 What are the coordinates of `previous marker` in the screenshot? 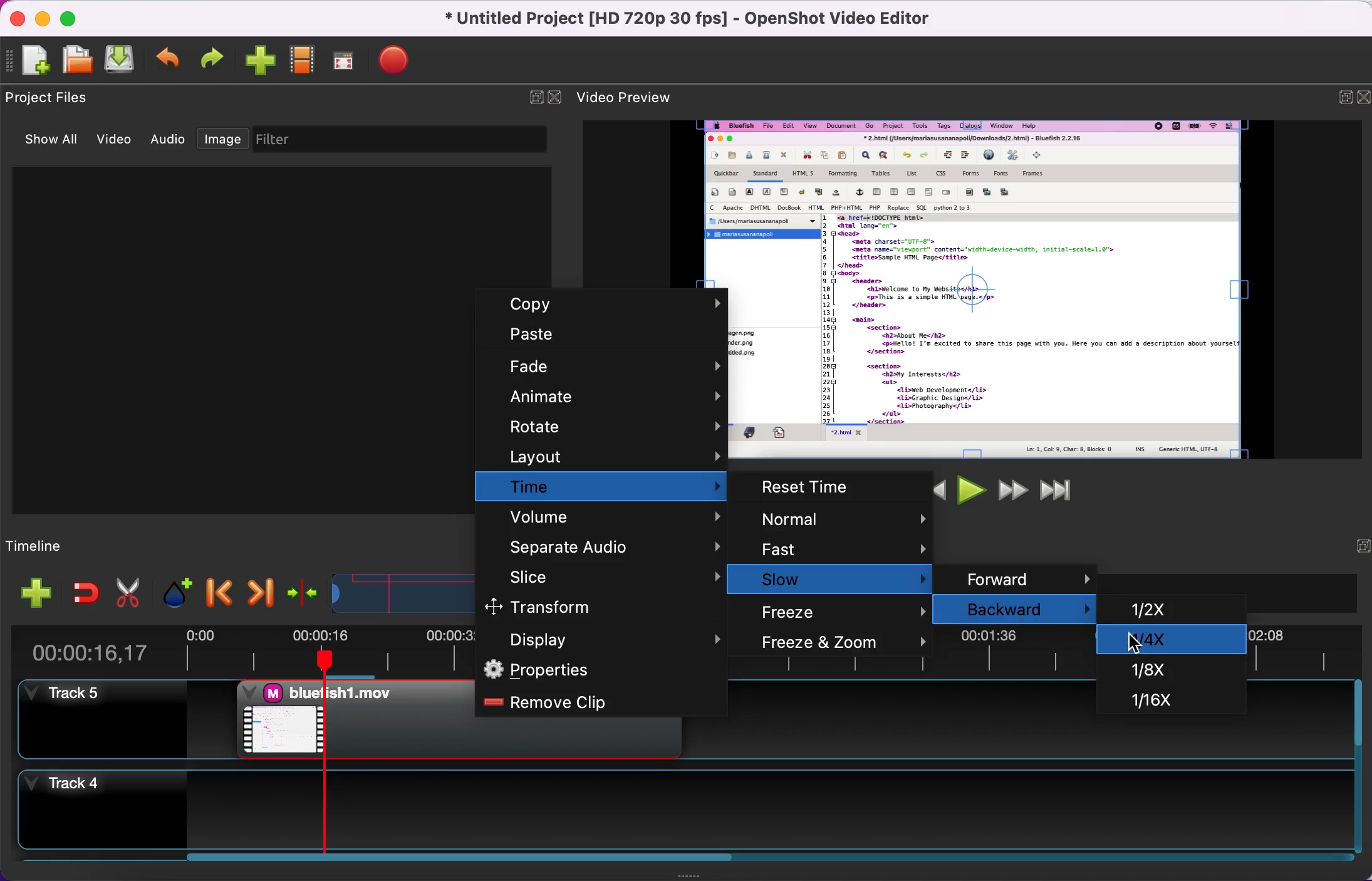 It's located at (217, 588).